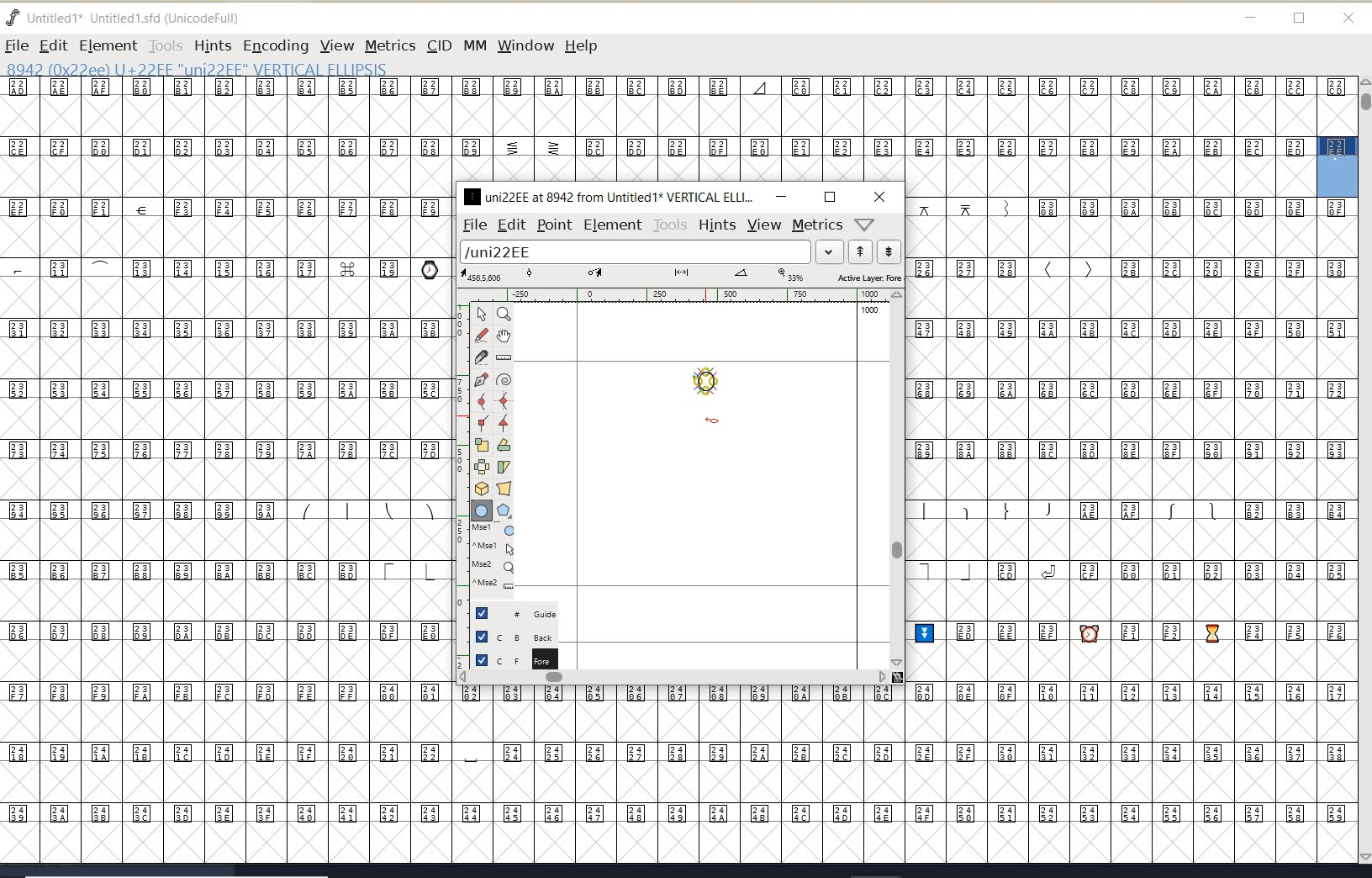  What do you see at coordinates (502, 420) in the screenshot?
I see `add a tangent point` at bounding box center [502, 420].